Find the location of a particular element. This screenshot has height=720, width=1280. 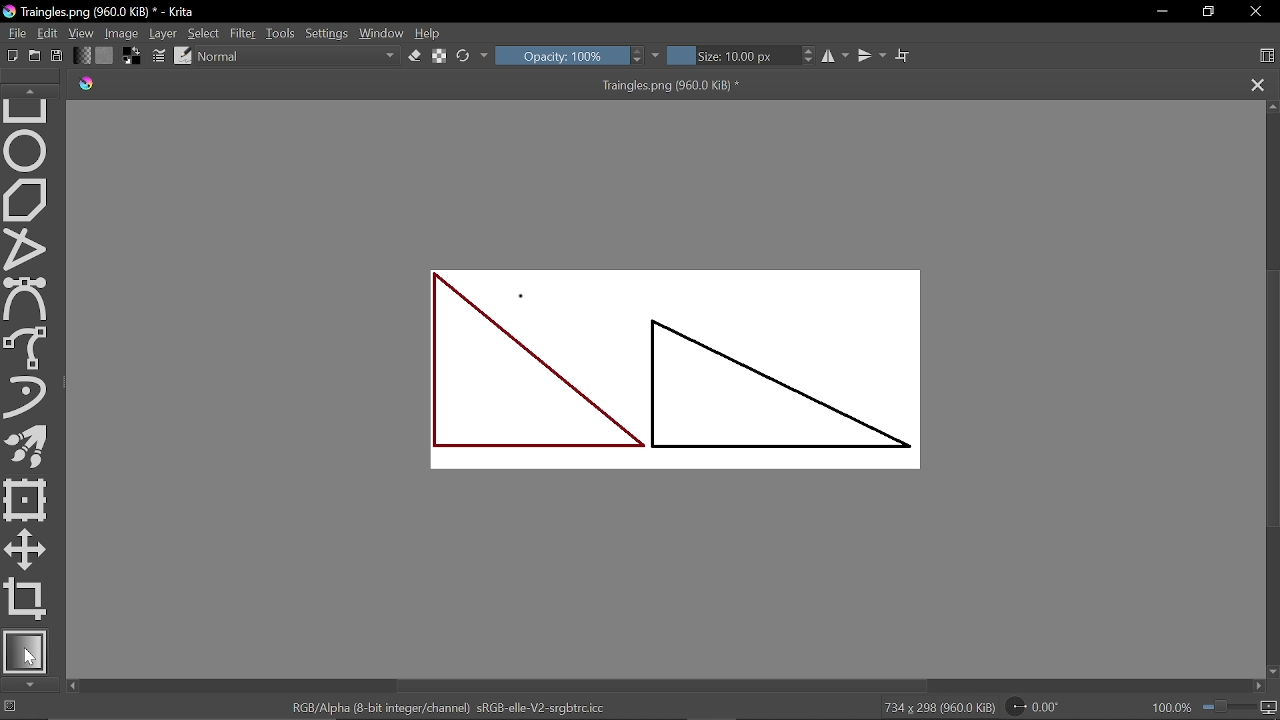

Background color is located at coordinates (131, 55).